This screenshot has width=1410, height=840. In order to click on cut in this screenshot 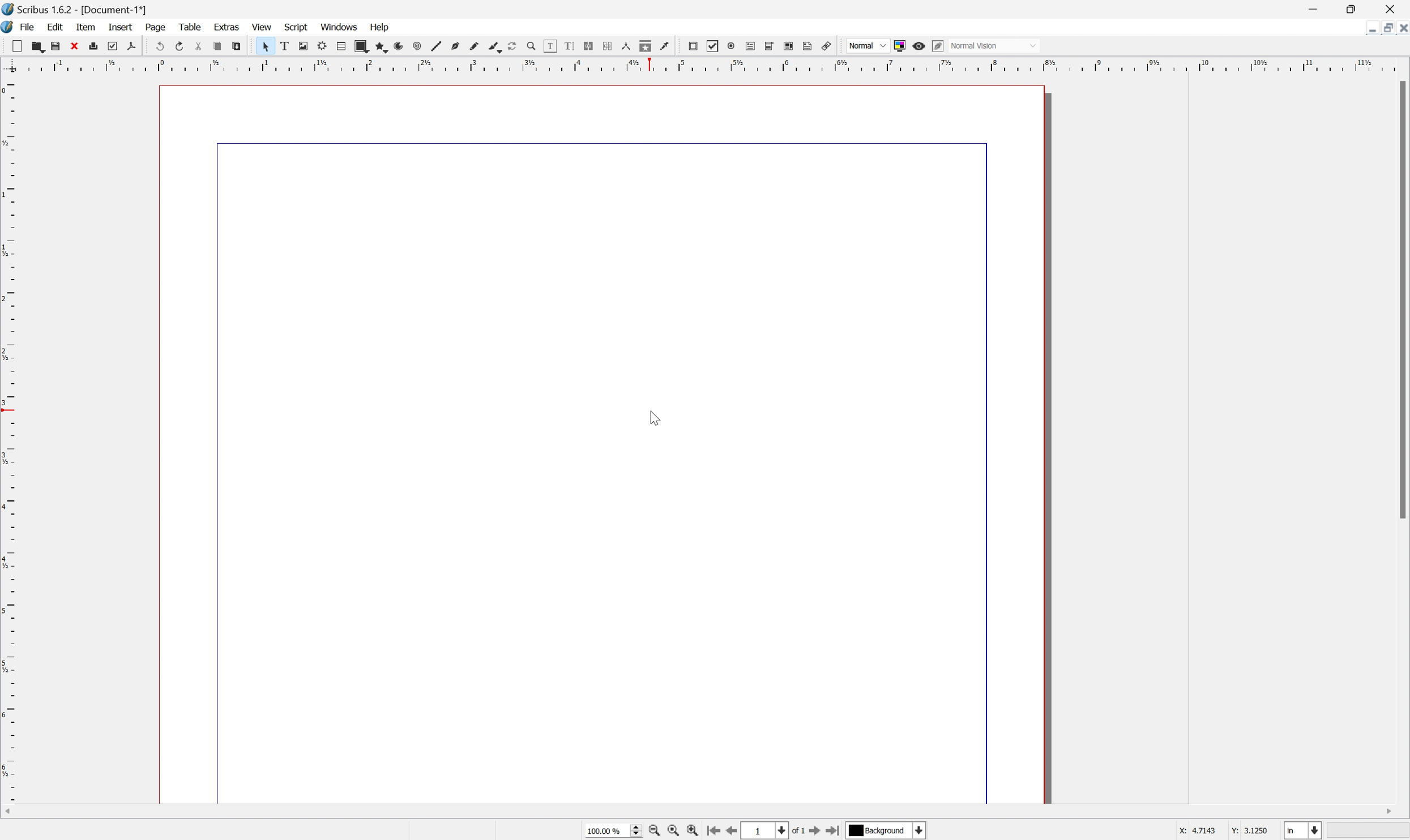, I will do `click(195, 47)`.